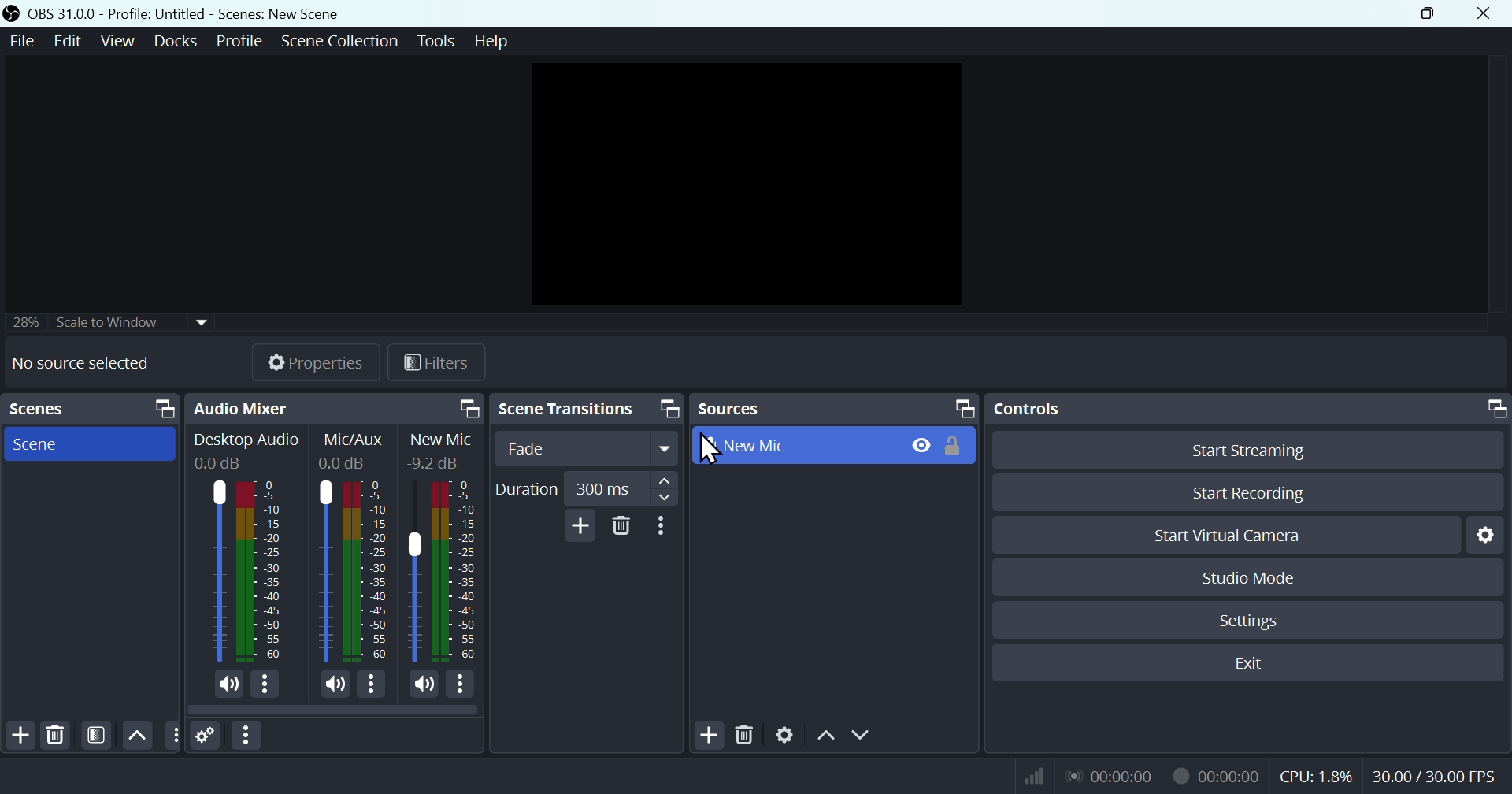 The height and width of the screenshot is (794, 1512). What do you see at coordinates (267, 685) in the screenshot?
I see `More Options` at bounding box center [267, 685].